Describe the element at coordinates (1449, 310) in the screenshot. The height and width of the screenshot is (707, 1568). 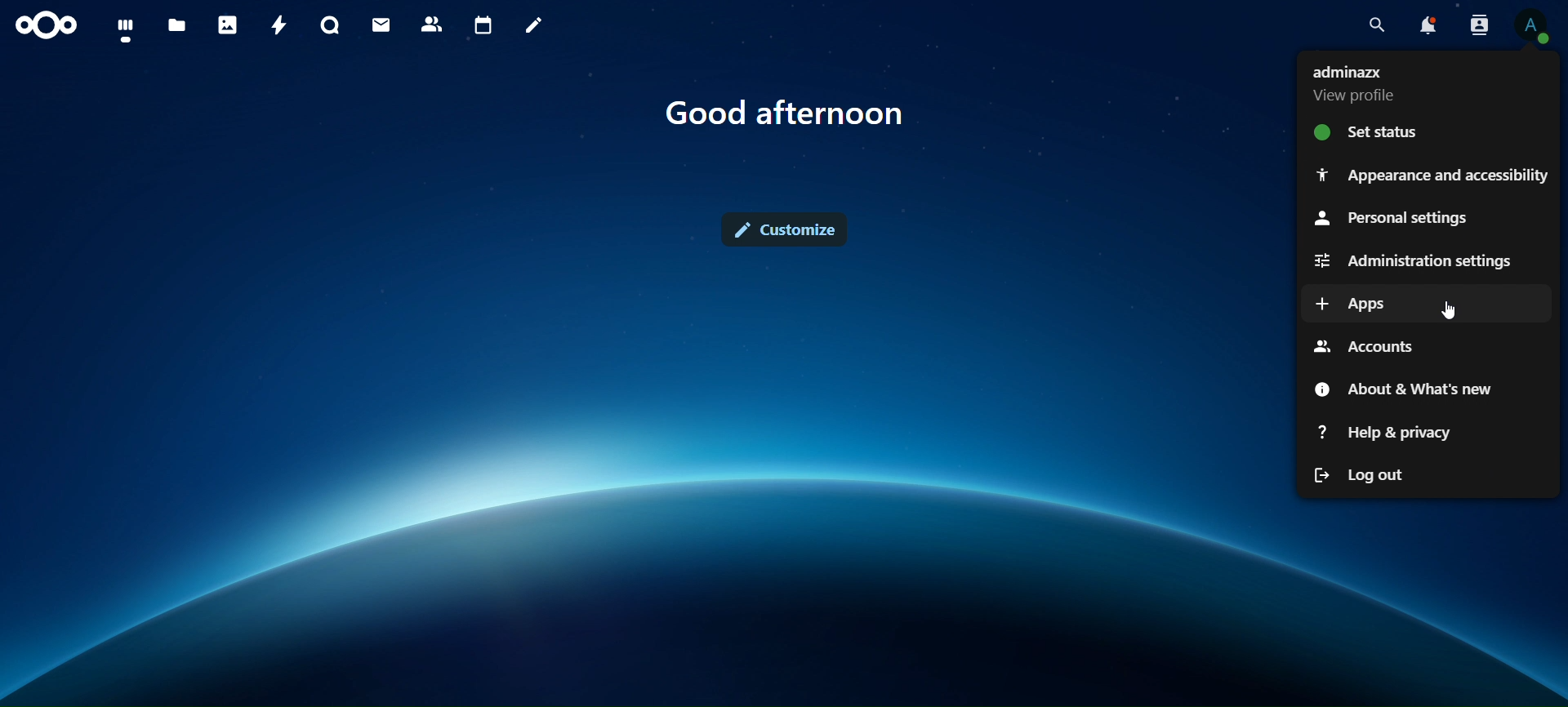
I see `cursor` at that location.